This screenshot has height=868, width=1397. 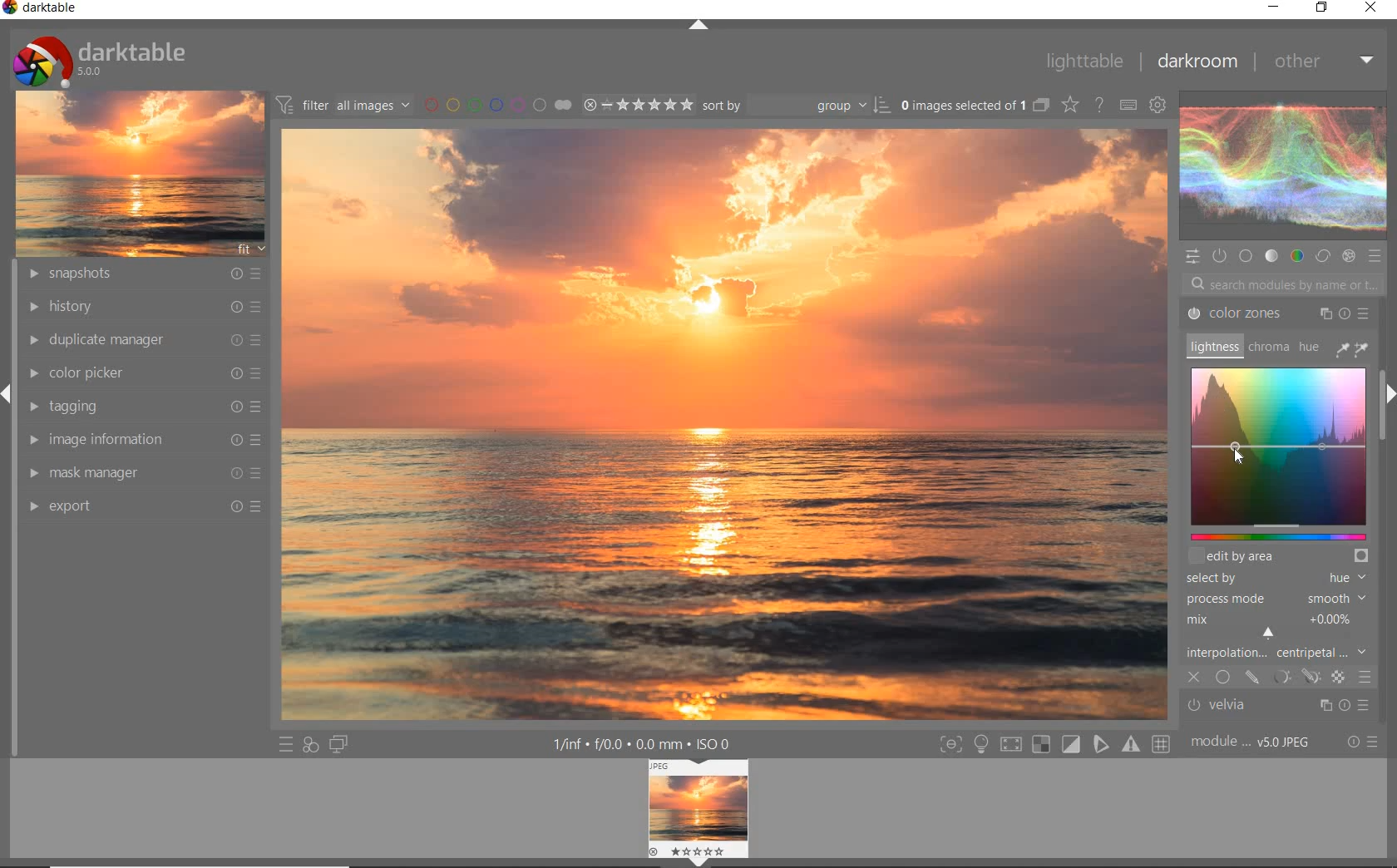 I want to click on SELECTED IMAGE, so click(x=723, y=423).